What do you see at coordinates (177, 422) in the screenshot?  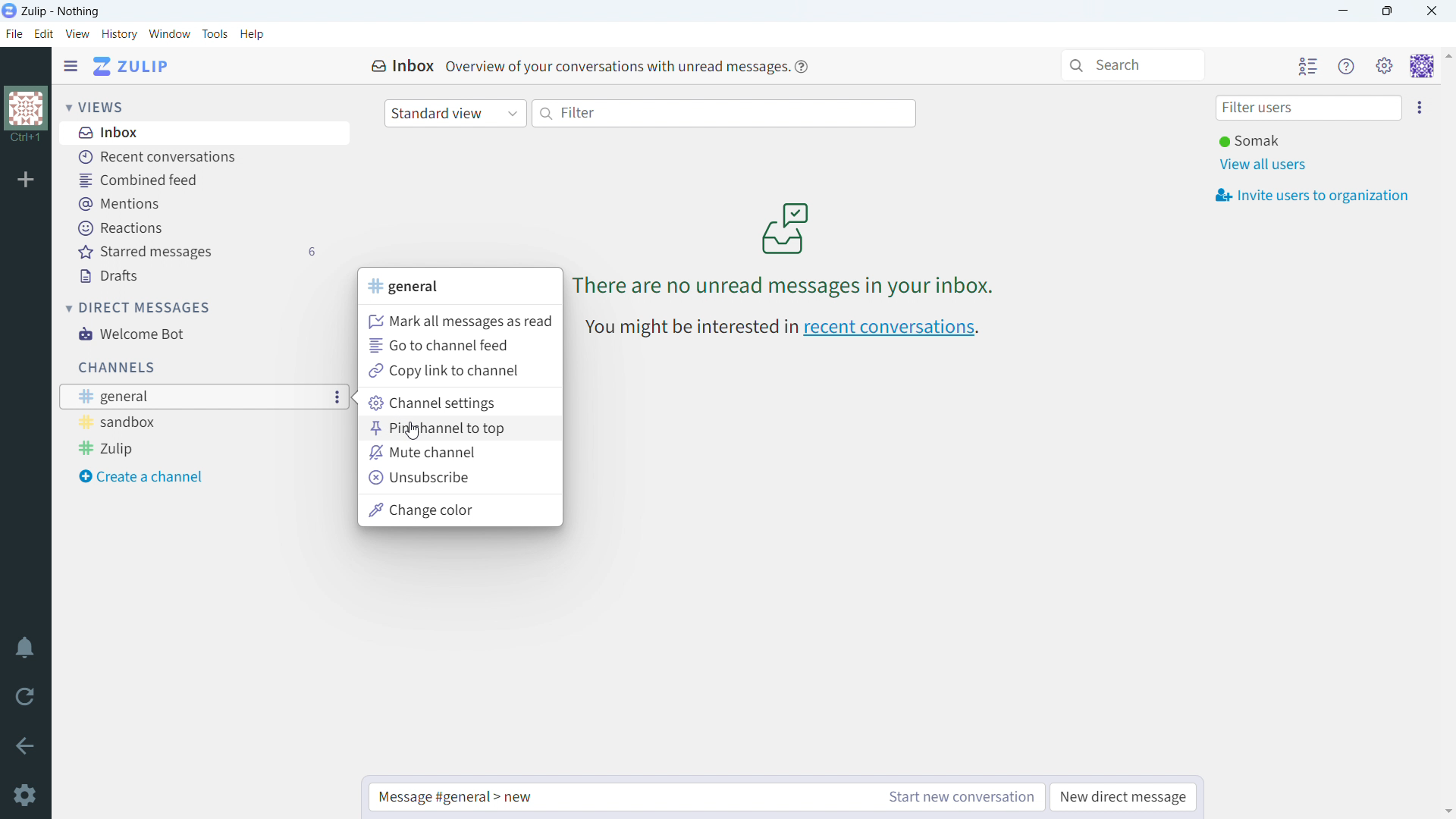 I see `sandbox` at bounding box center [177, 422].